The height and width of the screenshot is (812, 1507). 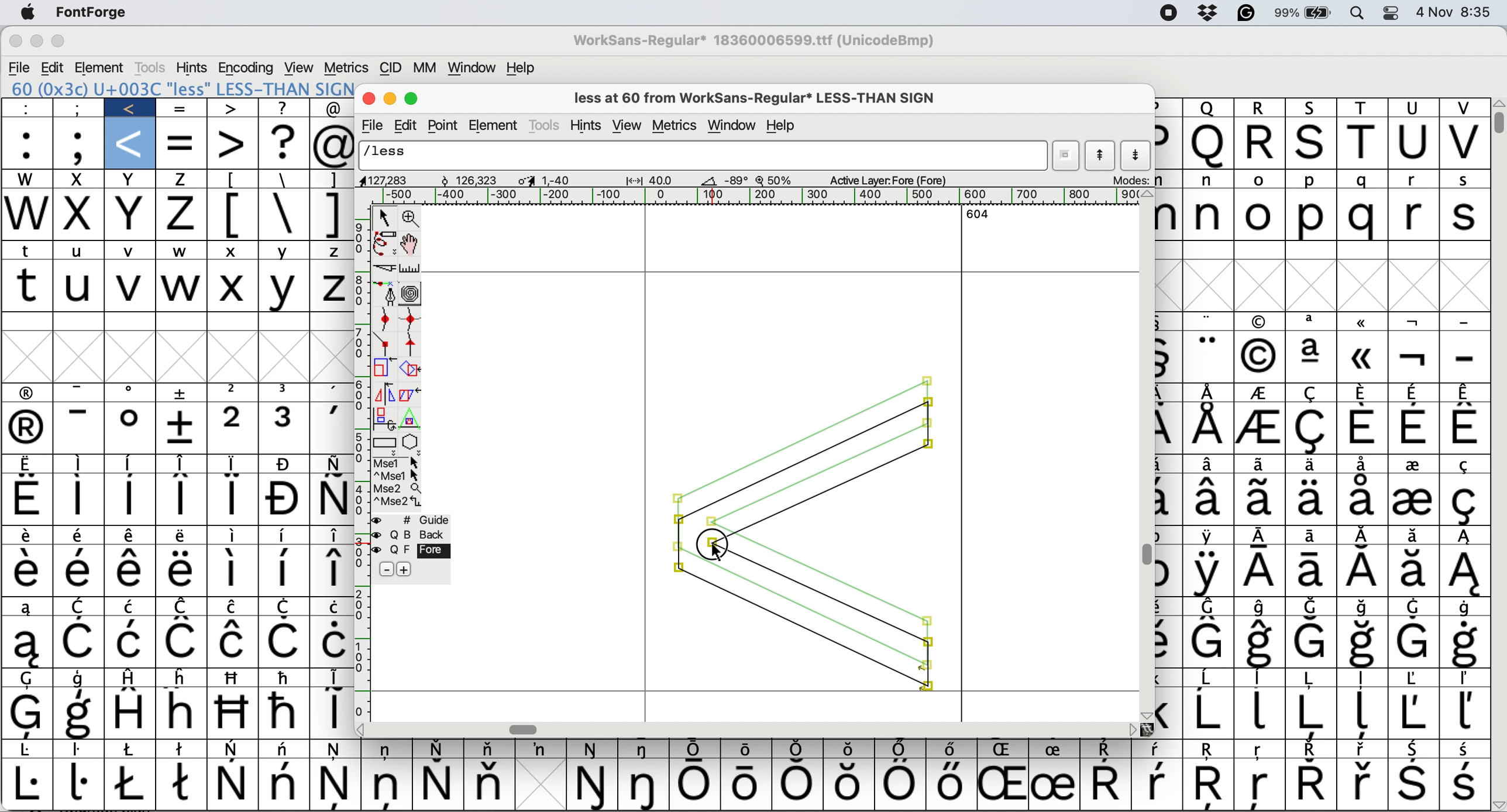 What do you see at coordinates (150, 68) in the screenshot?
I see `tools` at bounding box center [150, 68].